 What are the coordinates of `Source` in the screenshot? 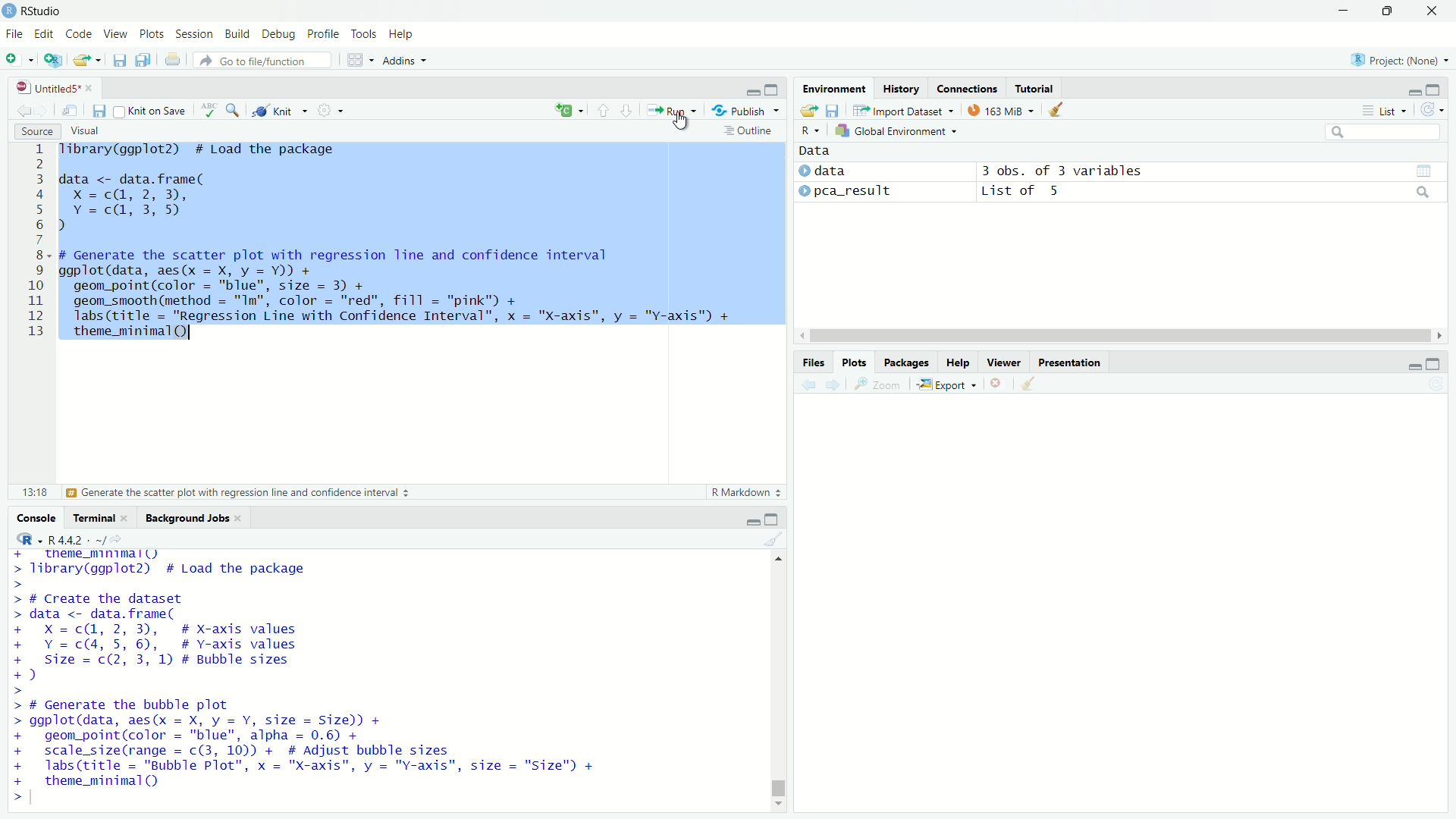 It's located at (36, 131).